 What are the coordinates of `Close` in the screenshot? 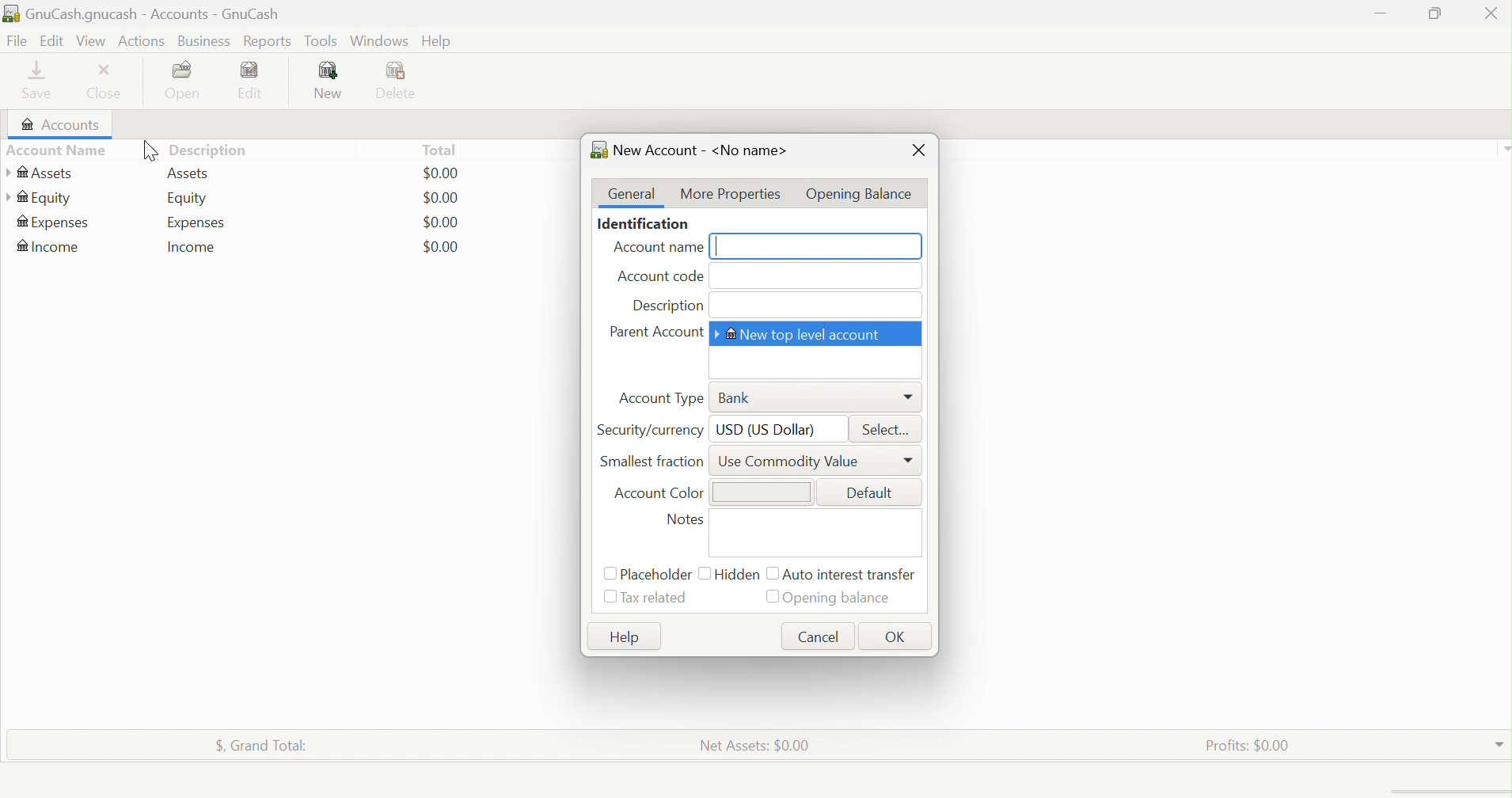 It's located at (1491, 16).